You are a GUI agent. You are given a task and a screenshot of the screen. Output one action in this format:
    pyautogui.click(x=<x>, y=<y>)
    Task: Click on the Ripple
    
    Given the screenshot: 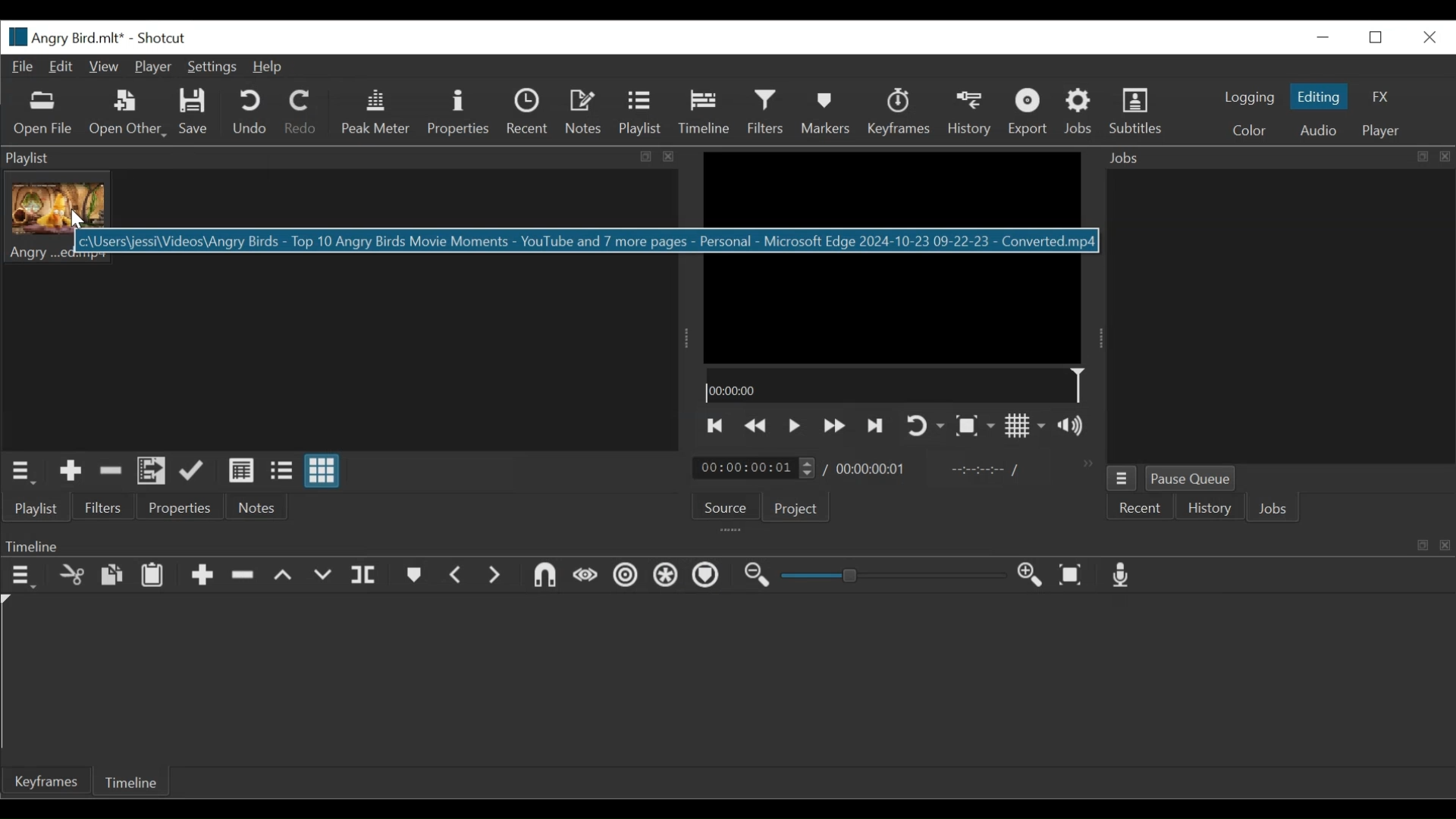 What is the action you would take?
    pyautogui.click(x=626, y=576)
    